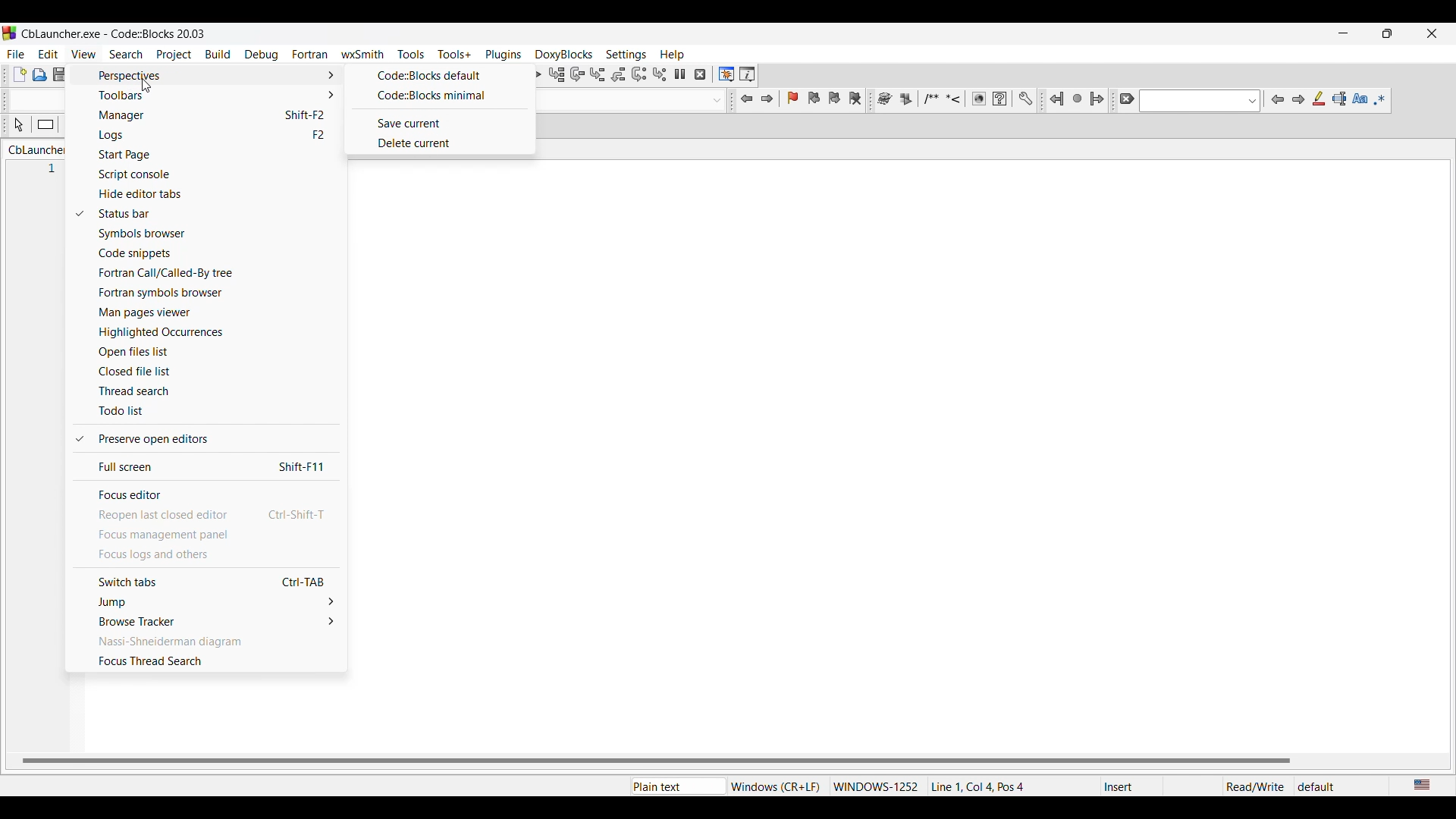  I want to click on Preserve open editors, so click(215, 439).